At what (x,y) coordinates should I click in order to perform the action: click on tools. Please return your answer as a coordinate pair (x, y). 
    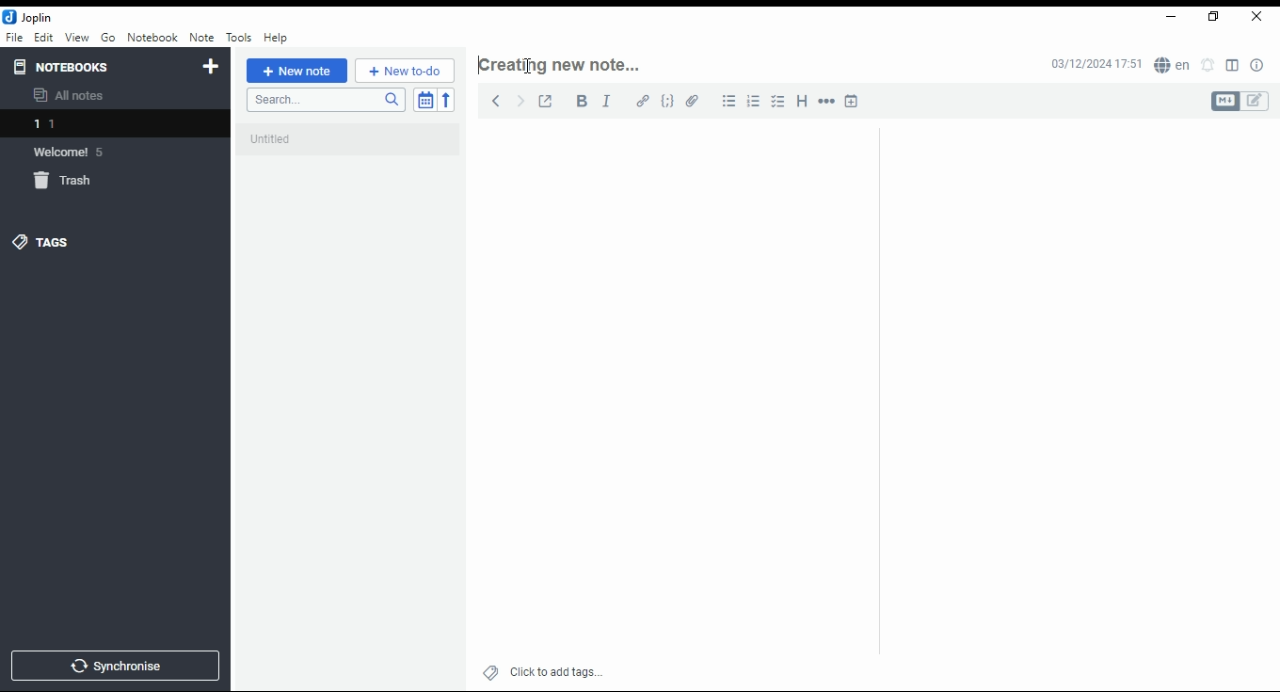
    Looking at the image, I should click on (238, 36).